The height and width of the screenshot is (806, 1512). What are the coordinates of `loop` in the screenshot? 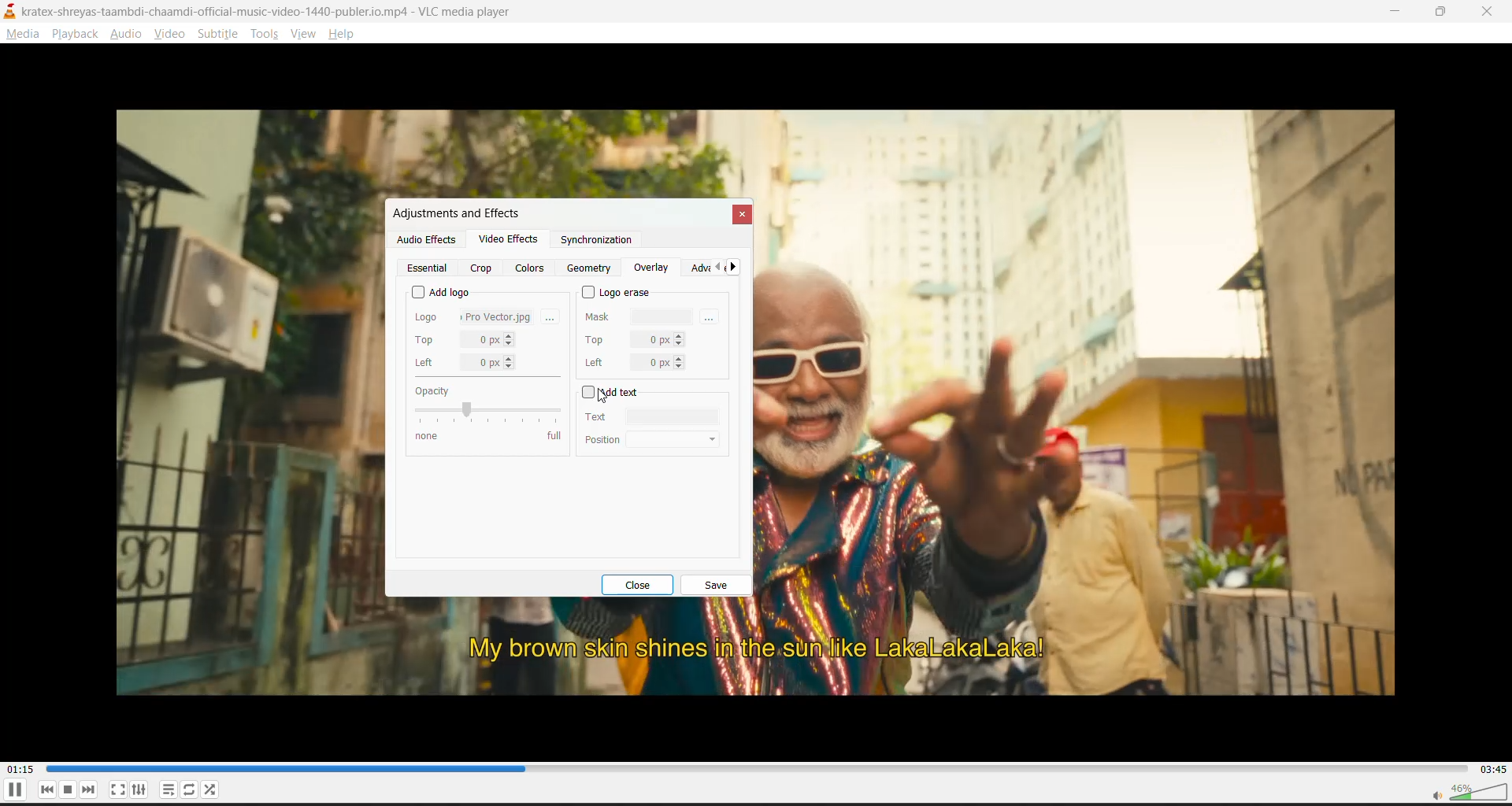 It's located at (187, 790).